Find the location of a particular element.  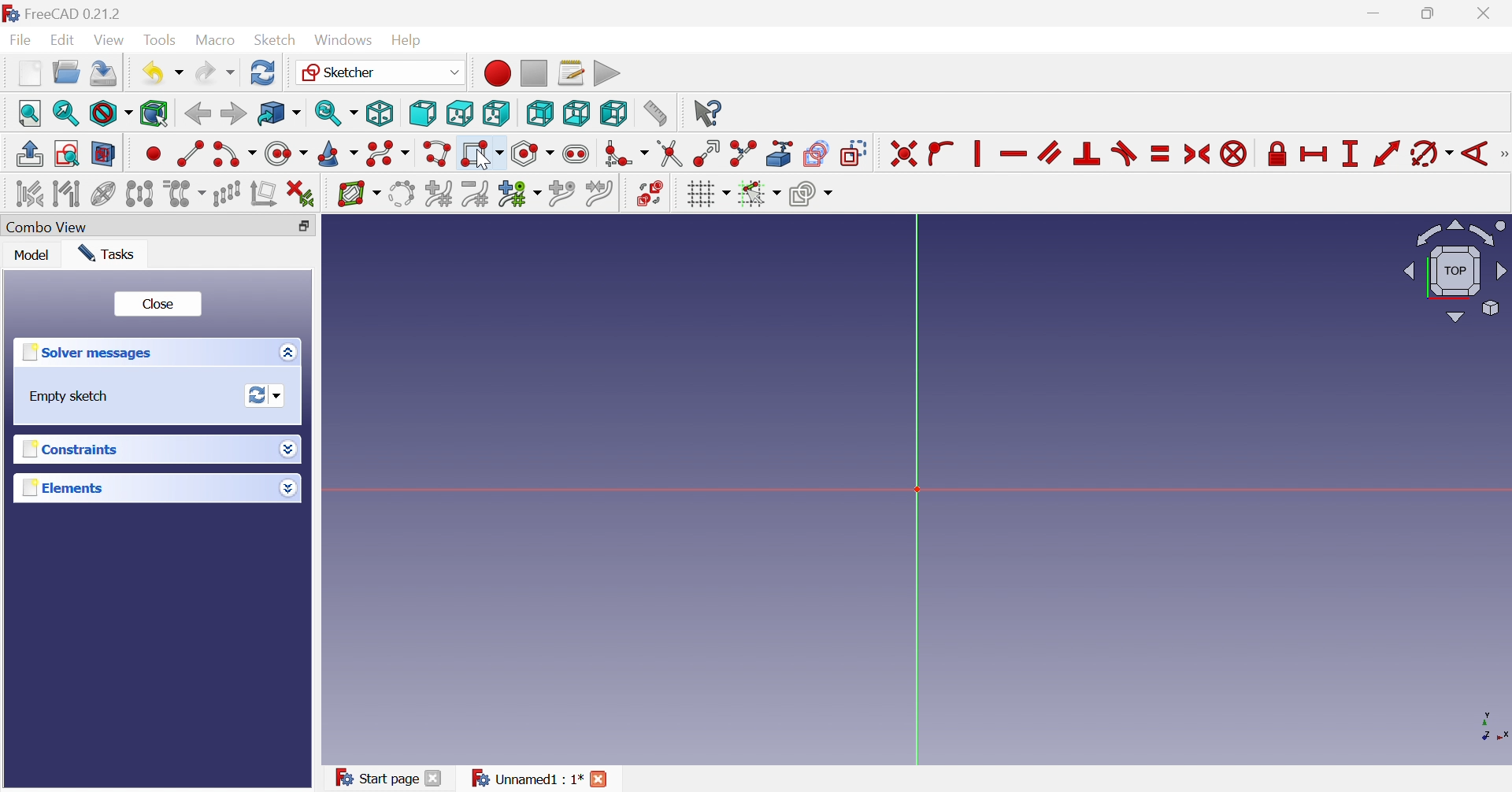

Windows is located at coordinates (343, 41).